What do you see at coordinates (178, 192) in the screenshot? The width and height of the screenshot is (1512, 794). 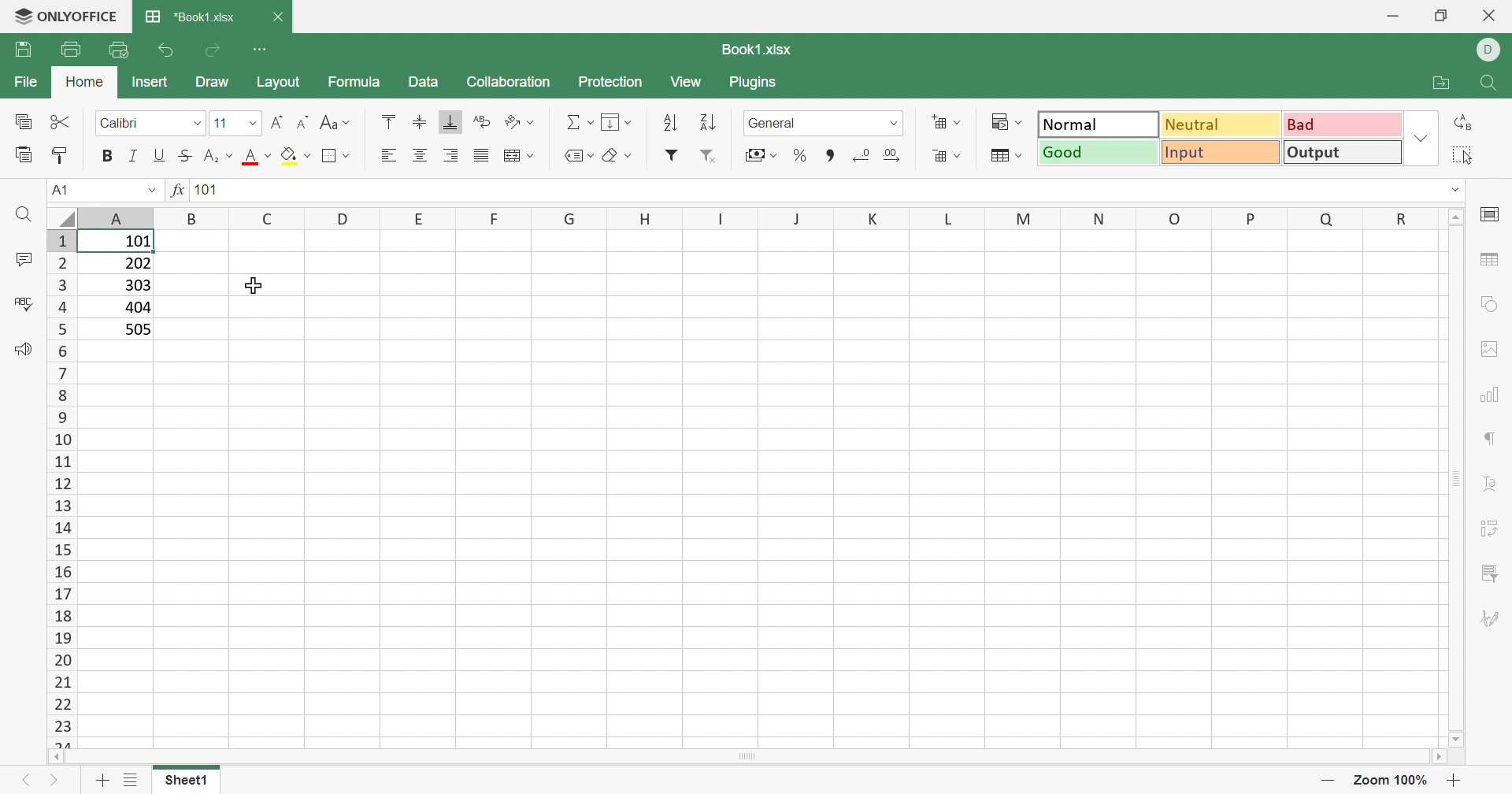 I see `fx` at bounding box center [178, 192].